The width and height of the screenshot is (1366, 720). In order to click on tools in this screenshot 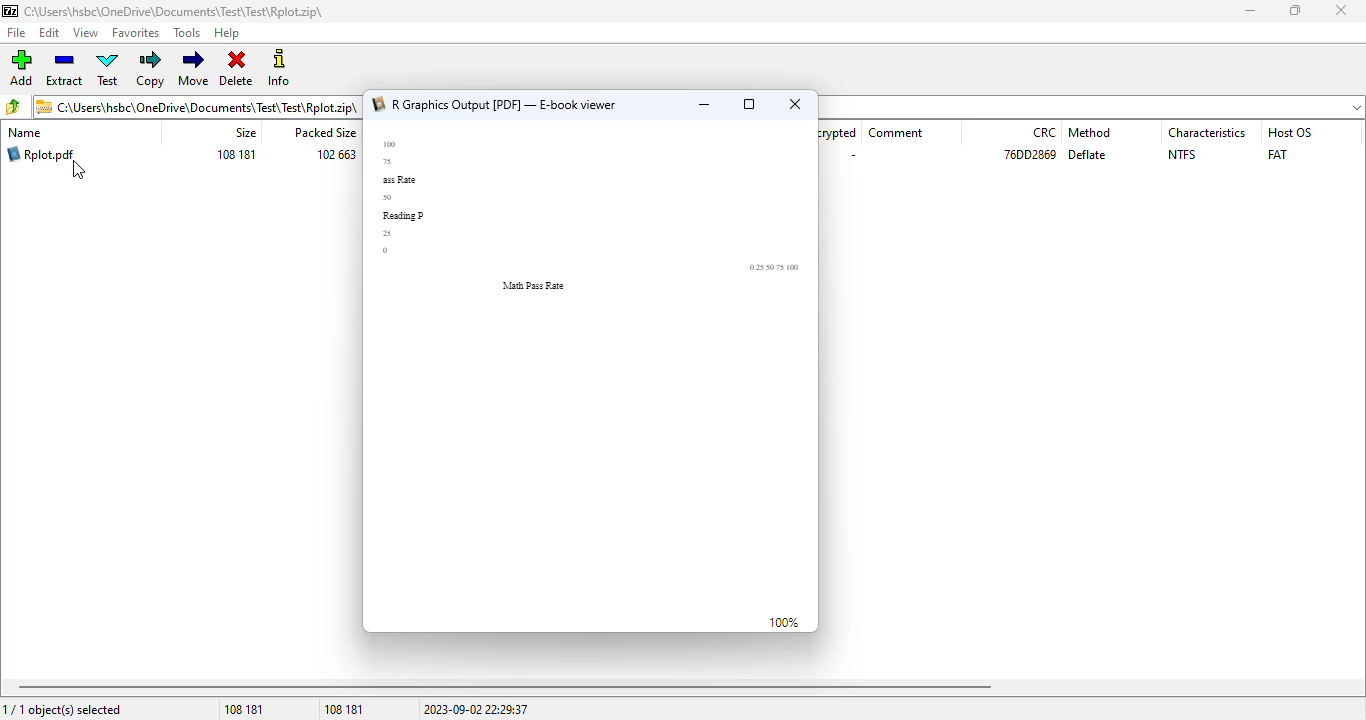, I will do `click(187, 33)`.